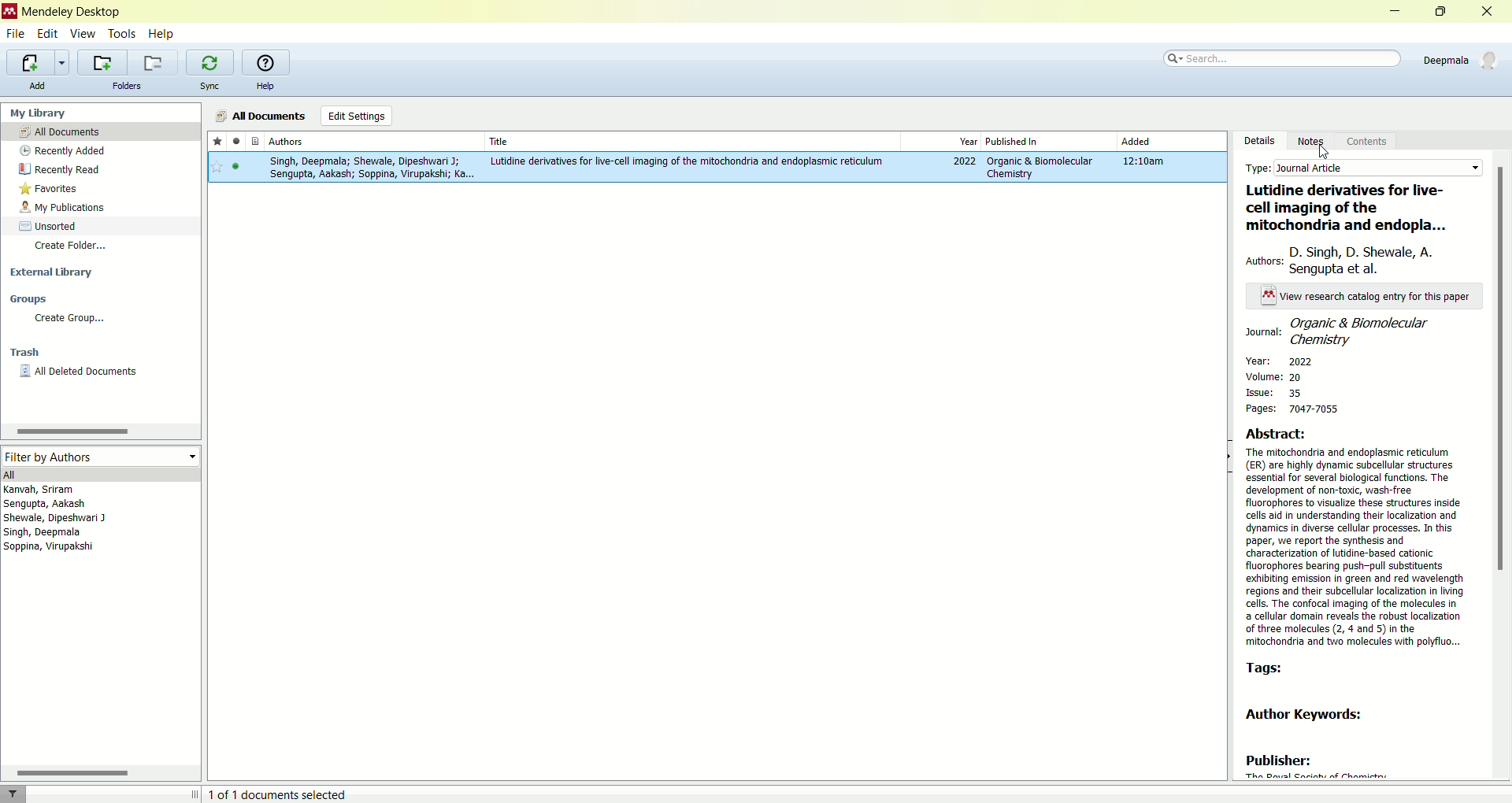 Image resolution: width=1512 pixels, height=803 pixels. What do you see at coordinates (965, 162) in the screenshot?
I see `2022` at bounding box center [965, 162].